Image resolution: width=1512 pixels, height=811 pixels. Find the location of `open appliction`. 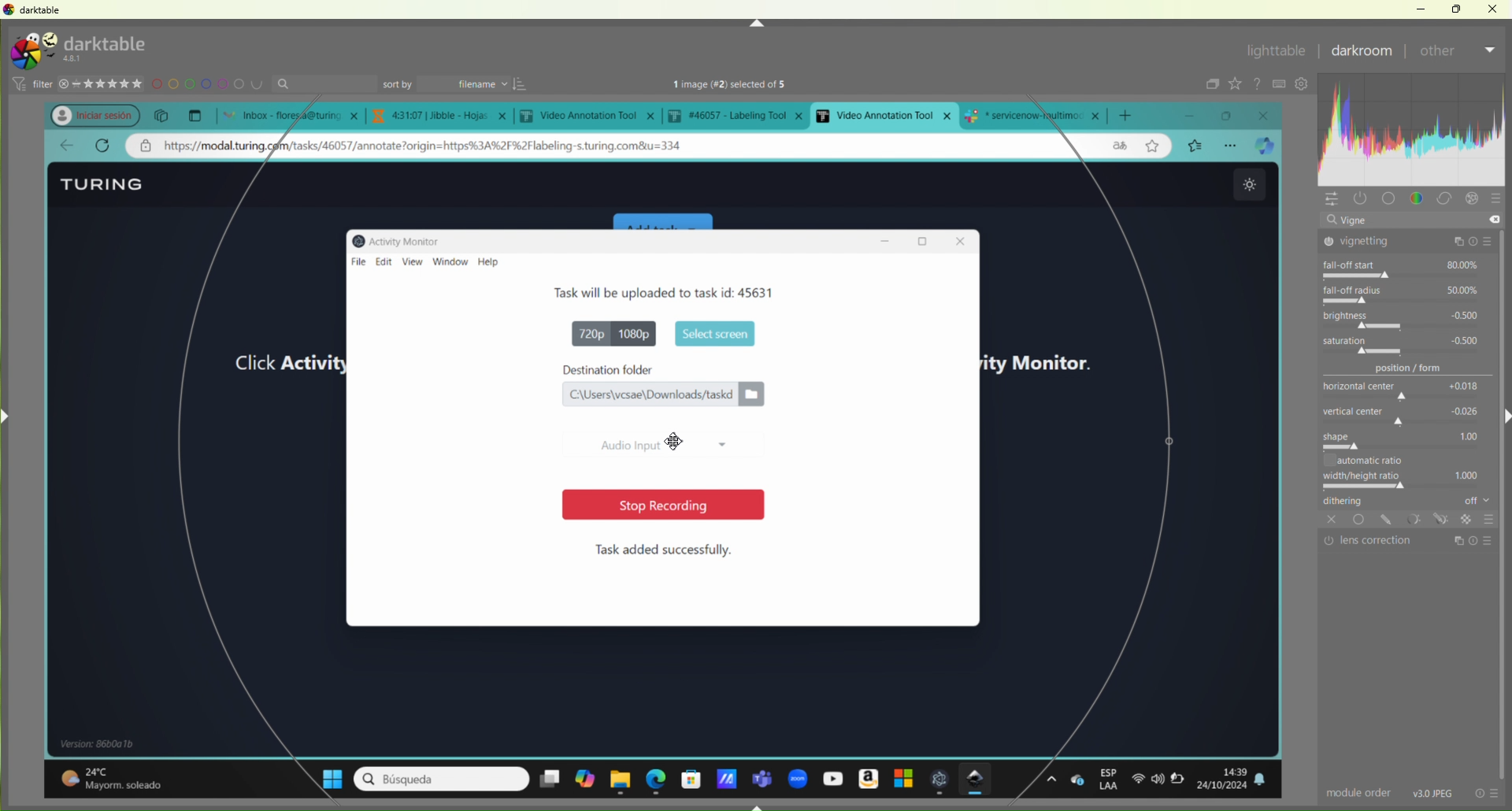

open appliction is located at coordinates (940, 780).